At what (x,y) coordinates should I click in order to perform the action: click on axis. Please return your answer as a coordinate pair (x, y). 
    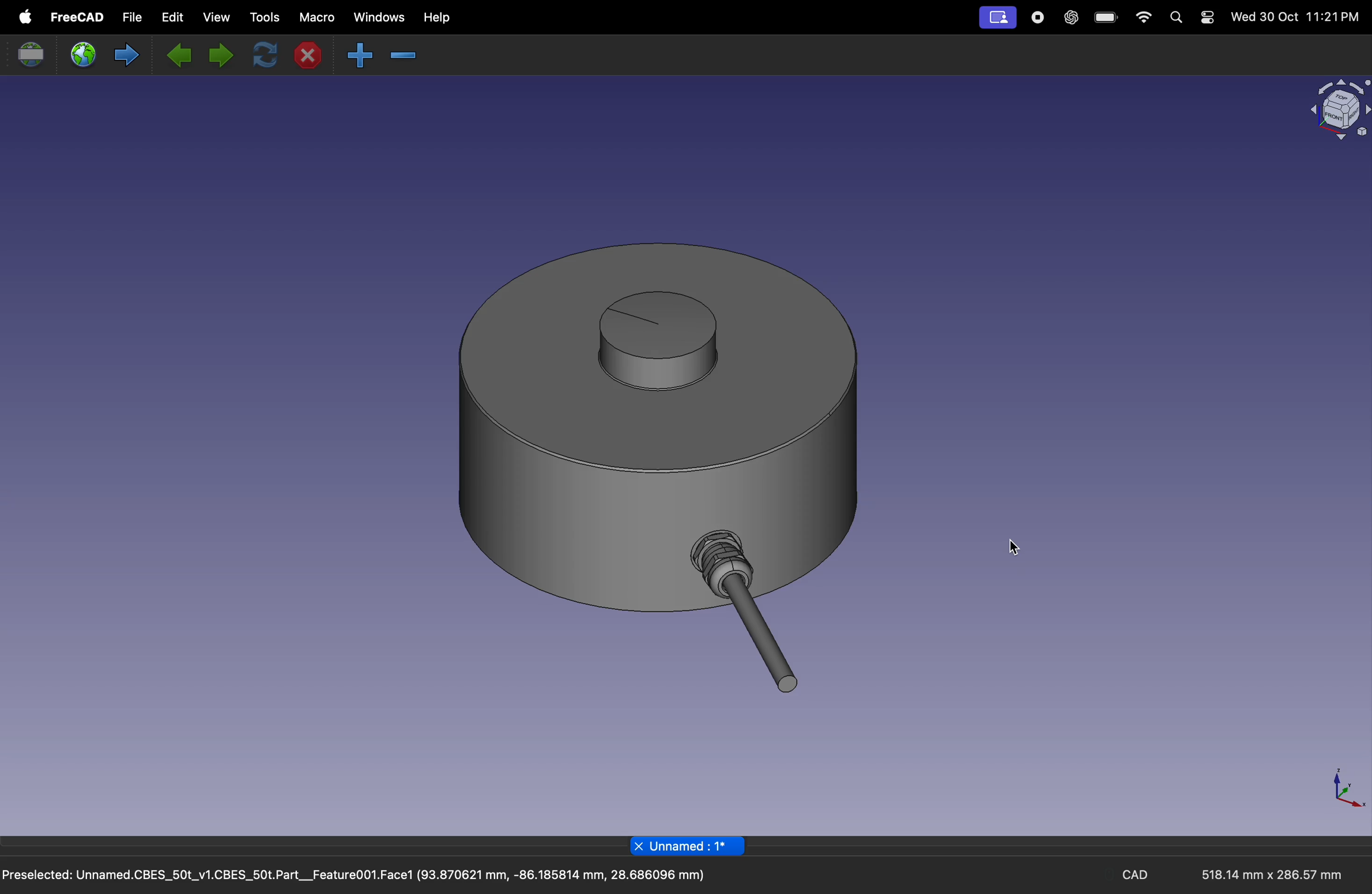
    Looking at the image, I should click on (1342, 790).